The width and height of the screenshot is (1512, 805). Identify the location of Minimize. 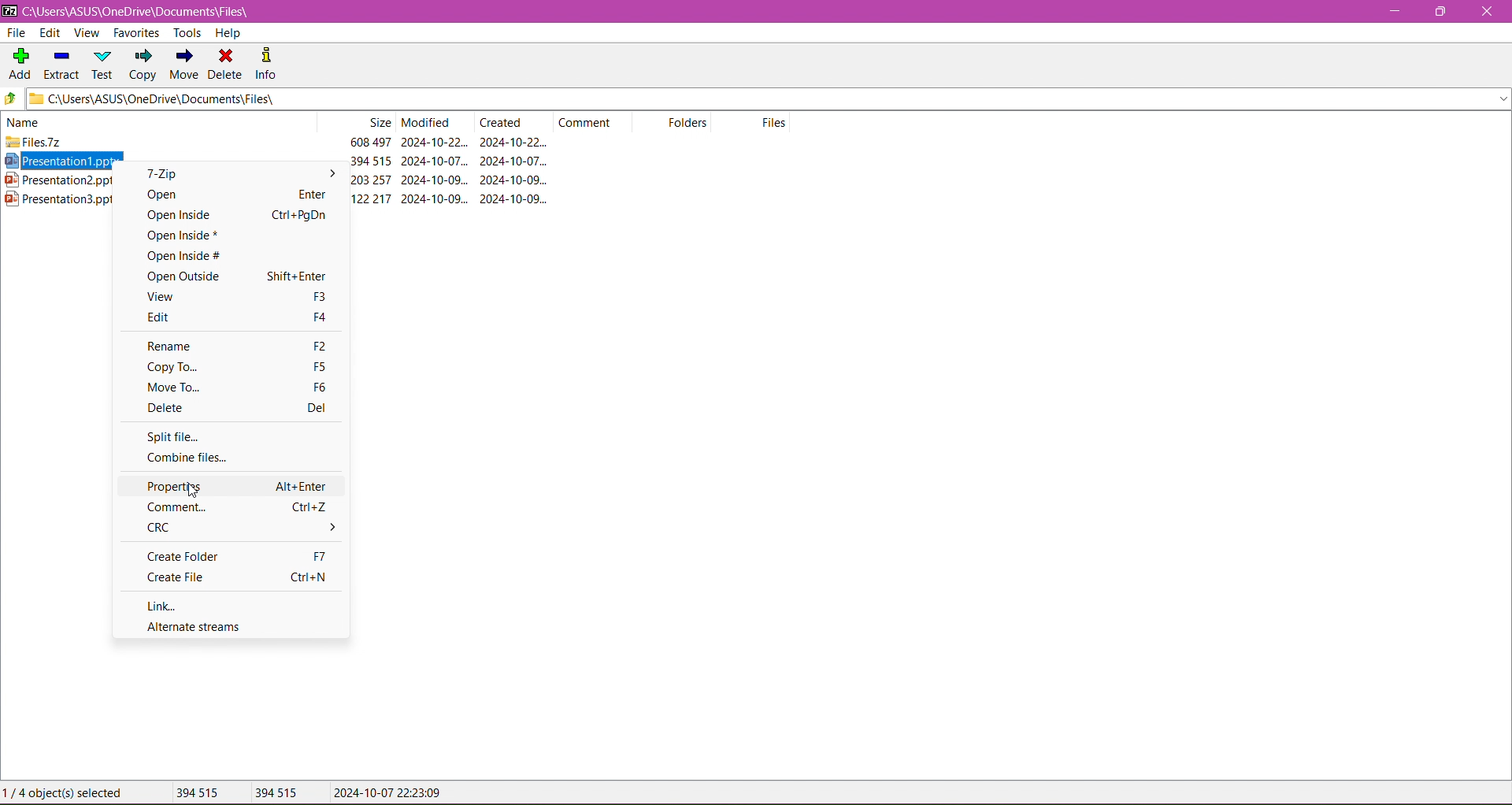
(1392, 12).